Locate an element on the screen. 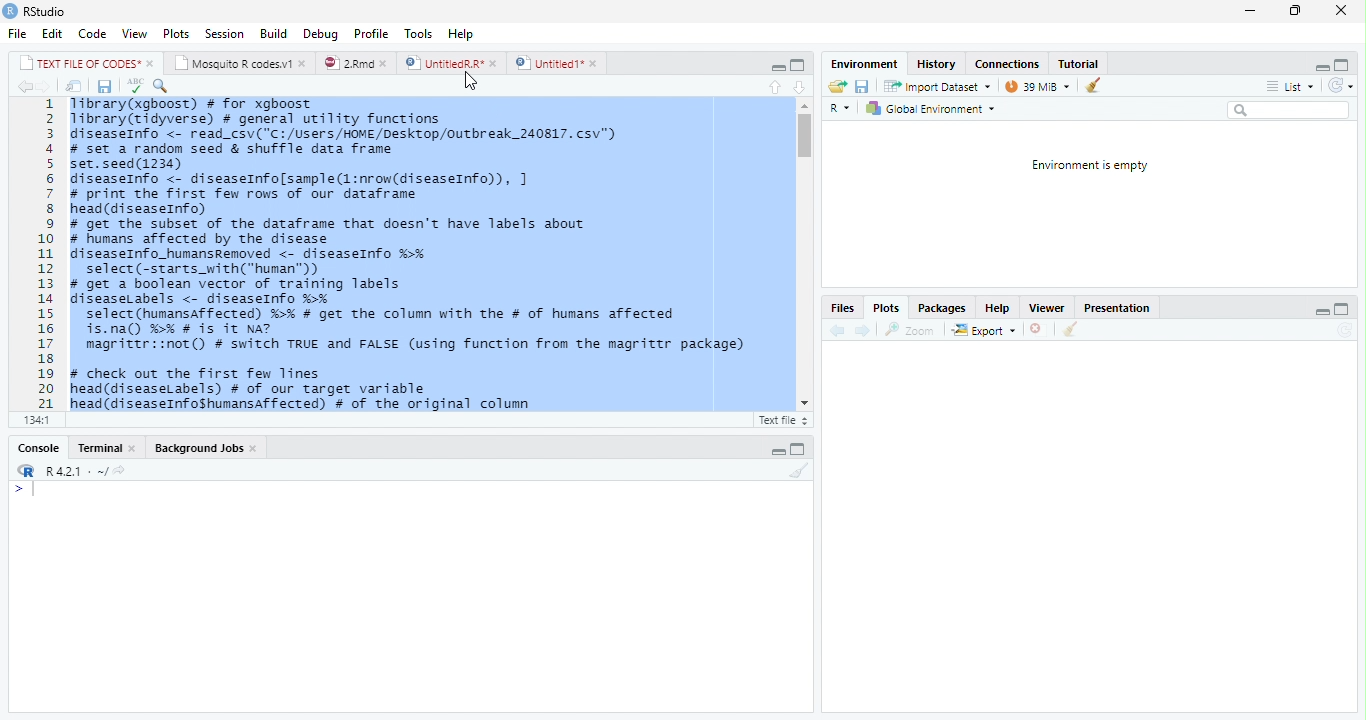 This screenshot has width=1366, height=720. History is located at coordinates (938, 64).